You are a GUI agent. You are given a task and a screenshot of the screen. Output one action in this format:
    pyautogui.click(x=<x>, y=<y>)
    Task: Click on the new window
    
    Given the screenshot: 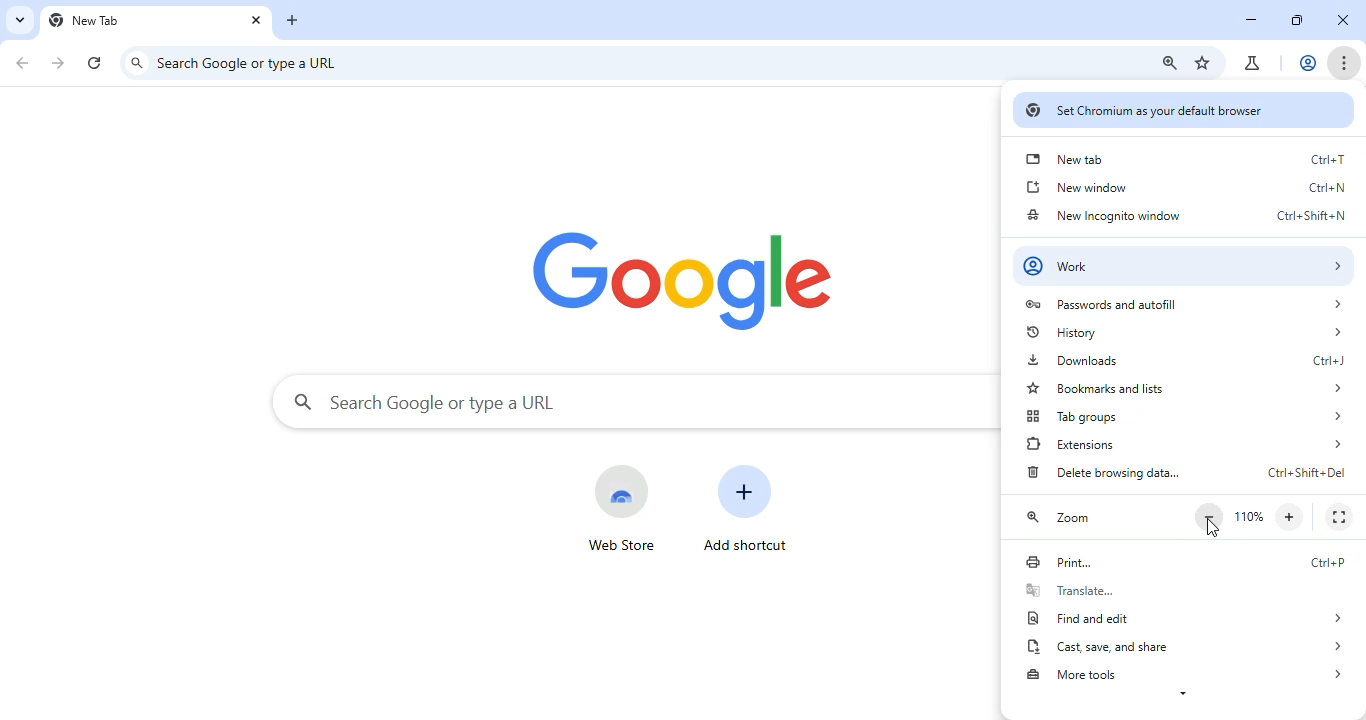 What is the action you would take?
    pyautogui.click(x=1184, y=187)
    